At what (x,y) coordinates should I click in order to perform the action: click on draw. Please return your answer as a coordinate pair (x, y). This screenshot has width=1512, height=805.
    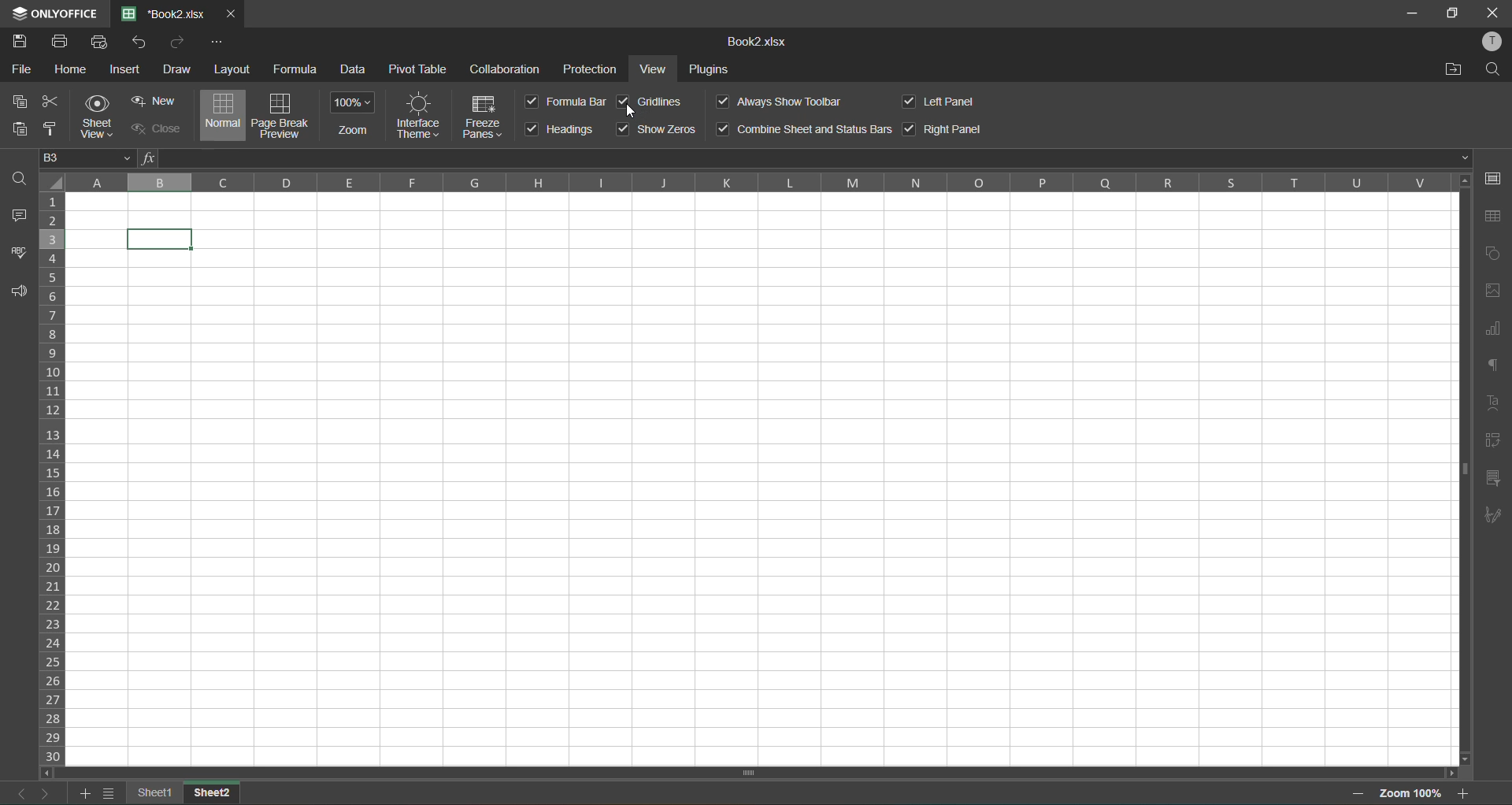
    Looking at the image, I should click on (179, 69).